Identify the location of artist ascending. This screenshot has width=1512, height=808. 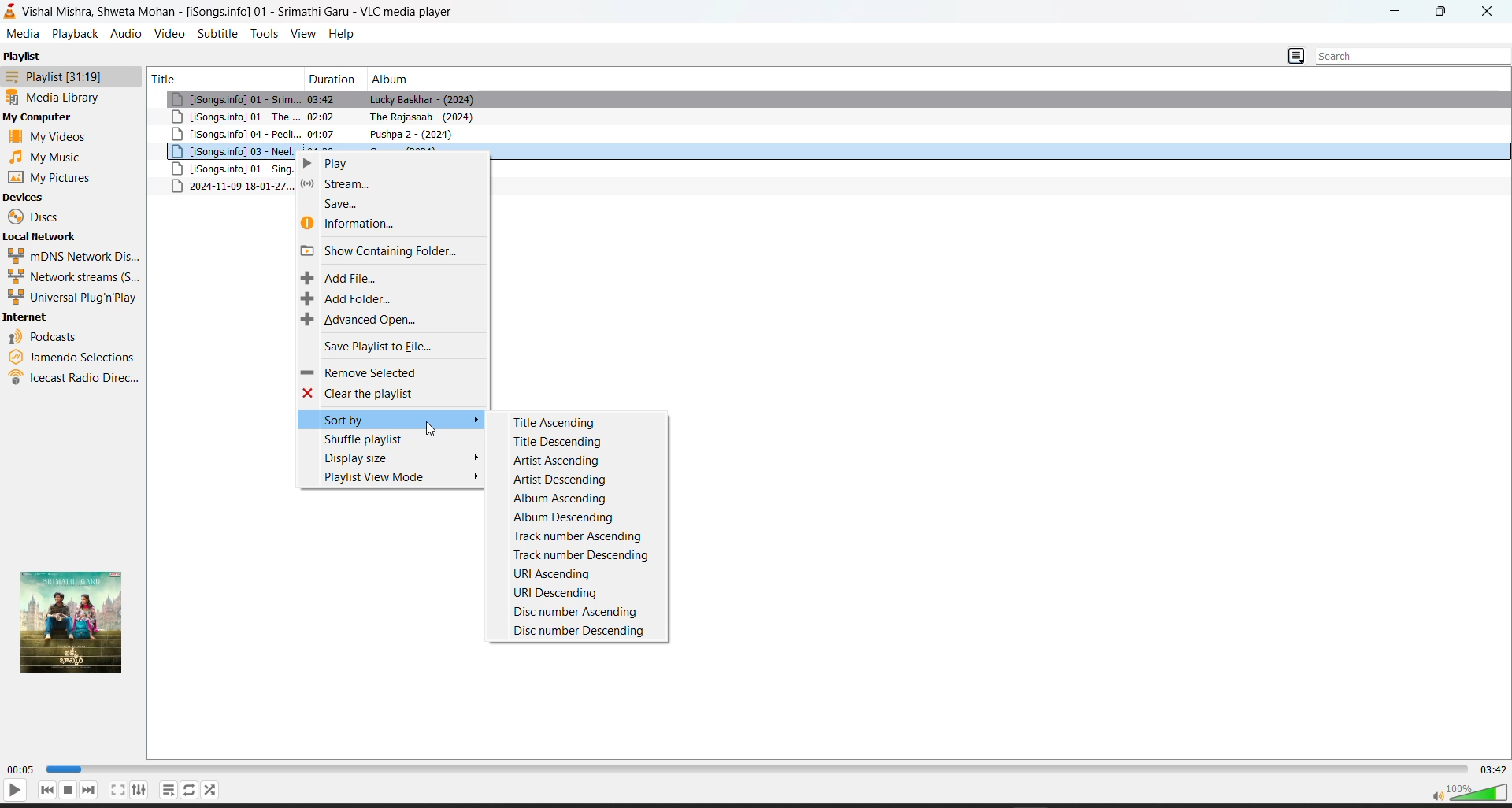
(580, 458).